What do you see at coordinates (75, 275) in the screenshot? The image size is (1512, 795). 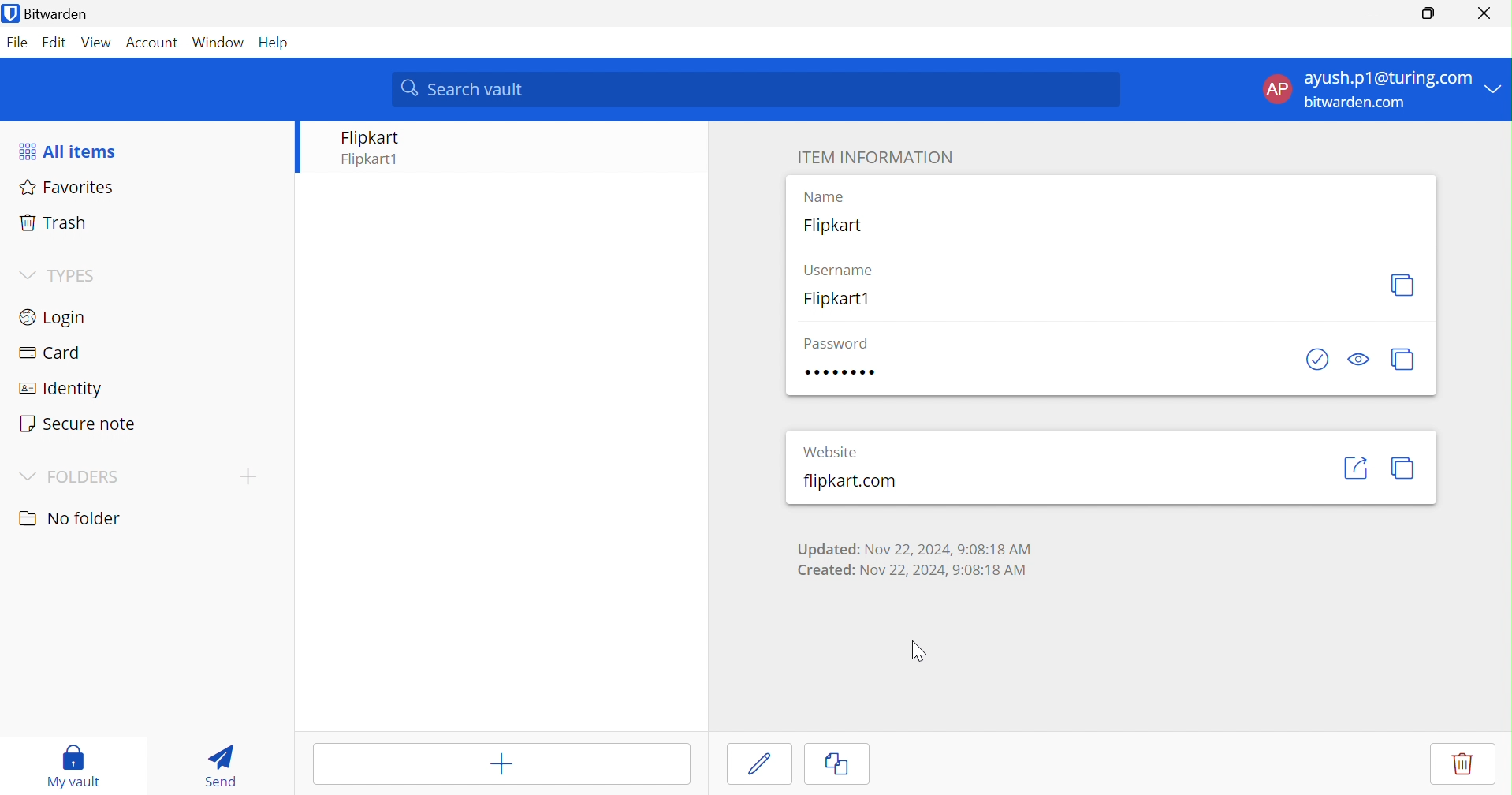 I see `TYPES` at bounding box center [75, 275].